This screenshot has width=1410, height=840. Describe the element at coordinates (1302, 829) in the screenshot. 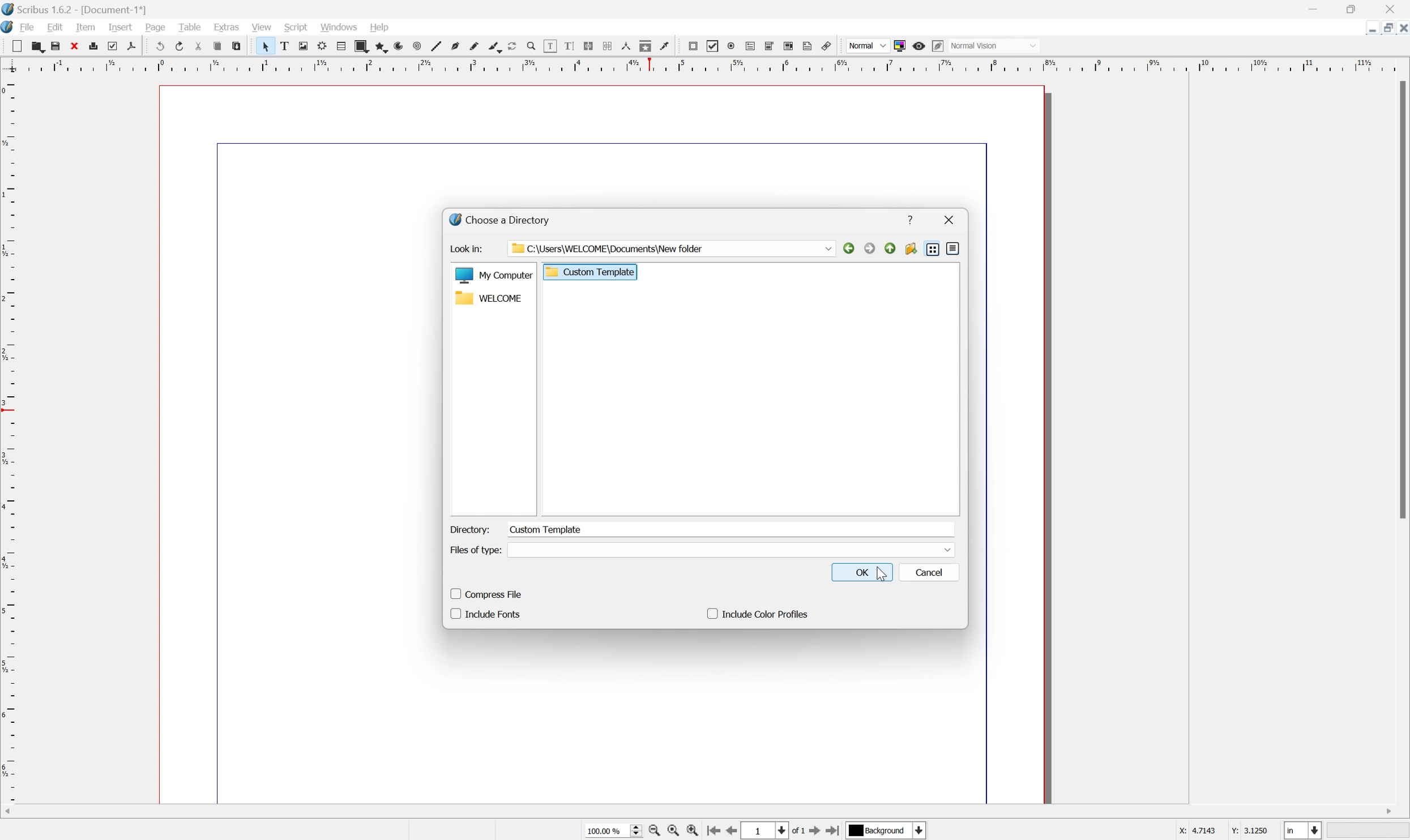

I see `Select current unit` at that location.